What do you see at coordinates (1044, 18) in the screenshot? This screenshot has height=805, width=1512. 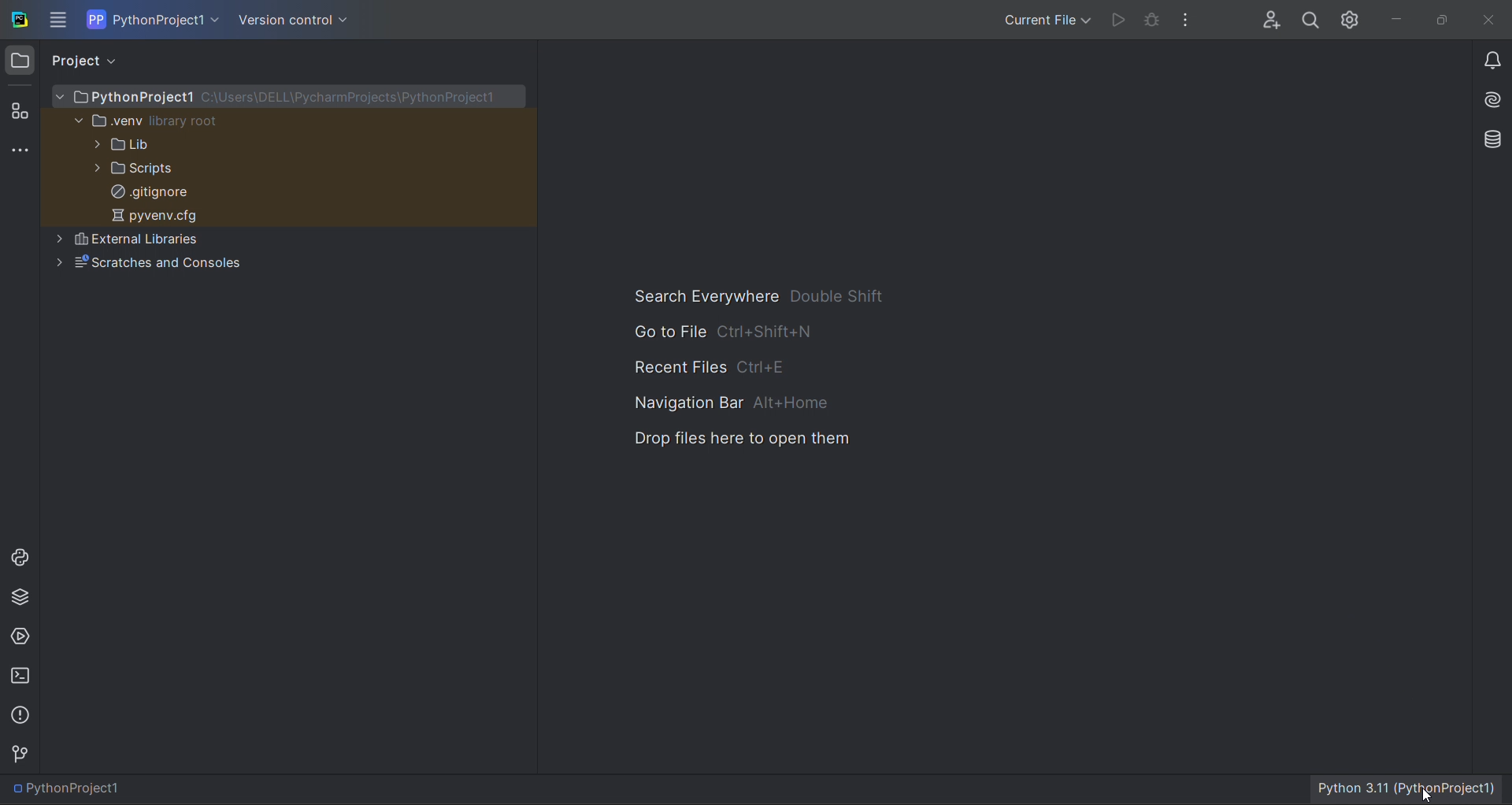 I see `run/debug options` at bounding box center [1044, 18].